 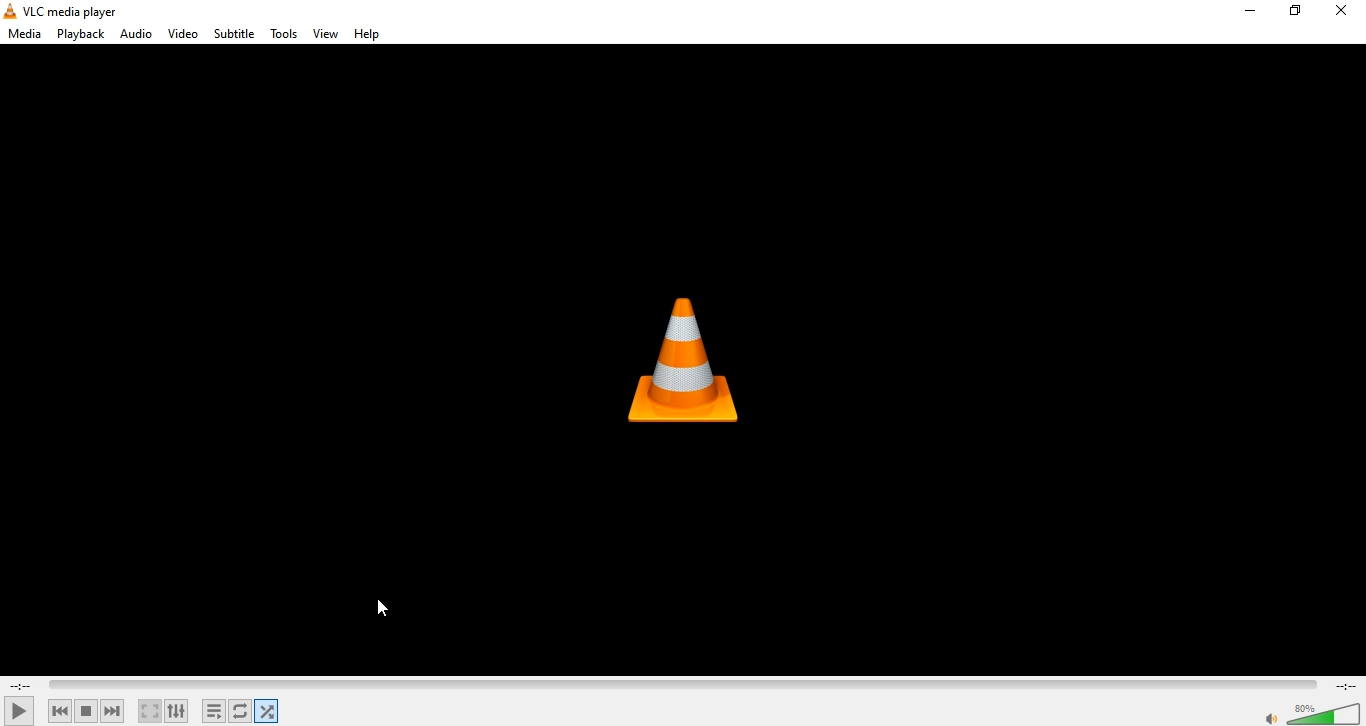 What do you see at coordinates (1296, 12) in the screenshot?
I see `restore` at bounding box center [1296, 12].